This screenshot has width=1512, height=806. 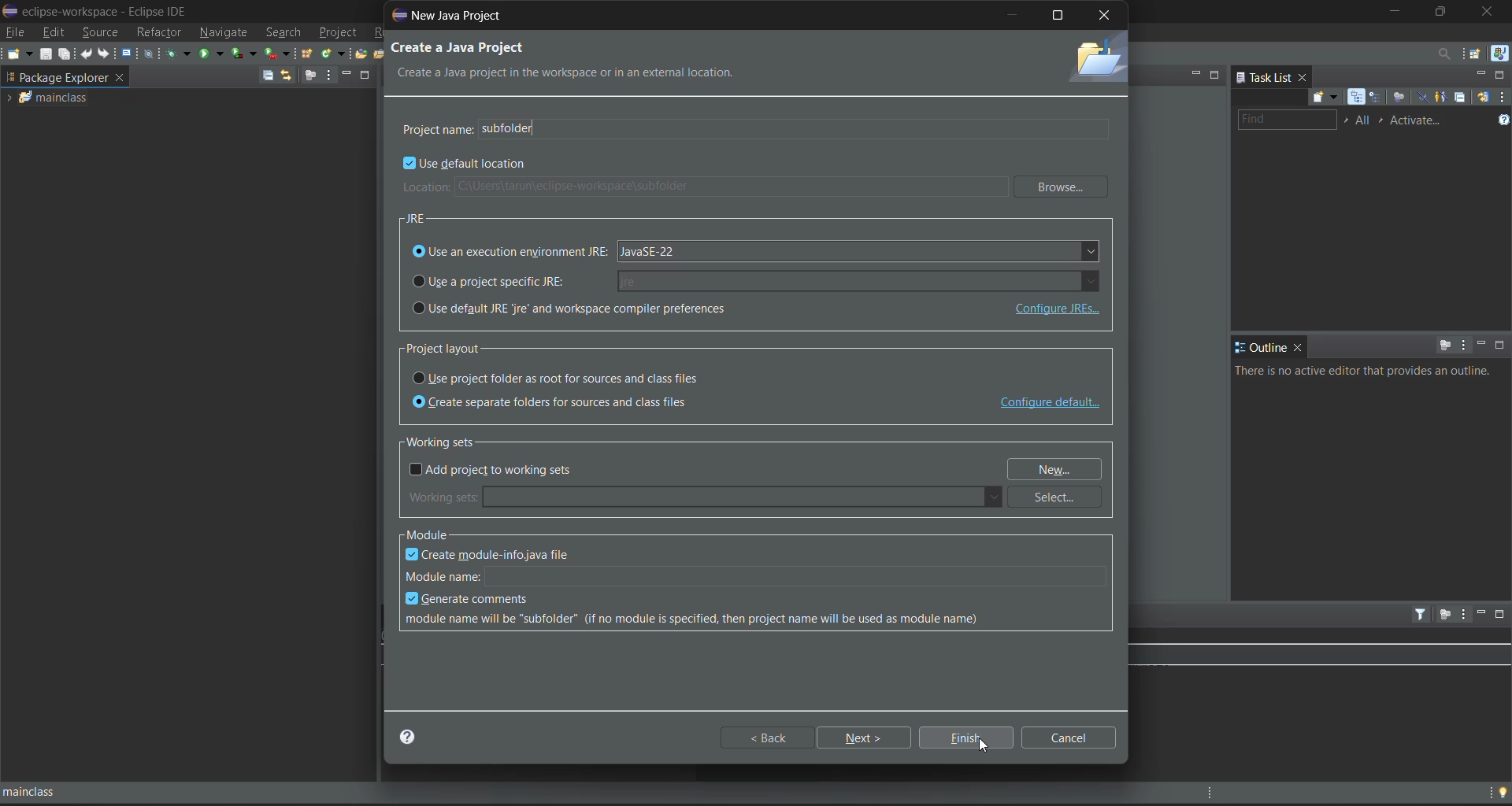 I want to click on metadata, so click(x=699, y=621).